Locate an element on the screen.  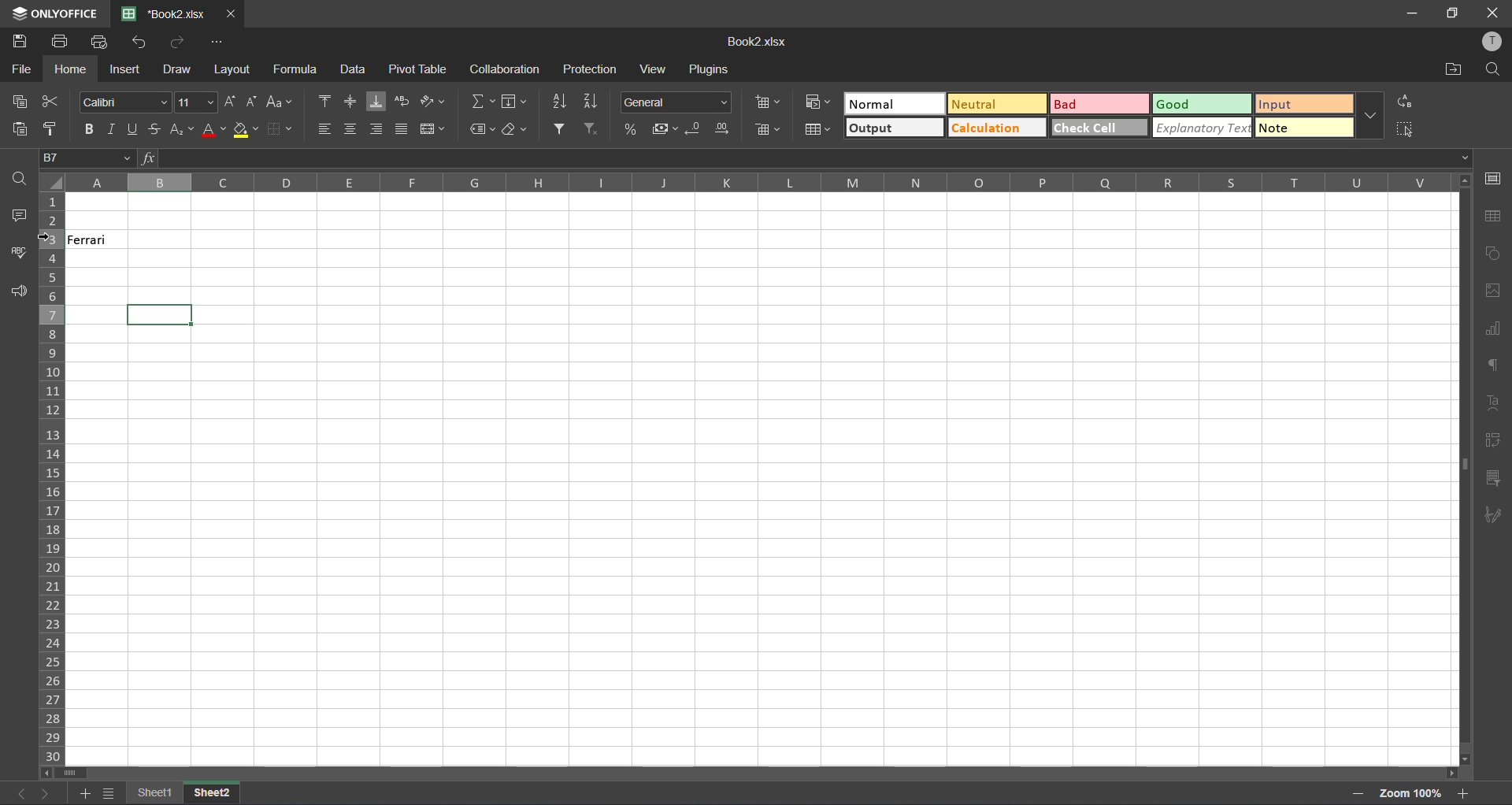
clear filter is located at coordinates (593, 128).